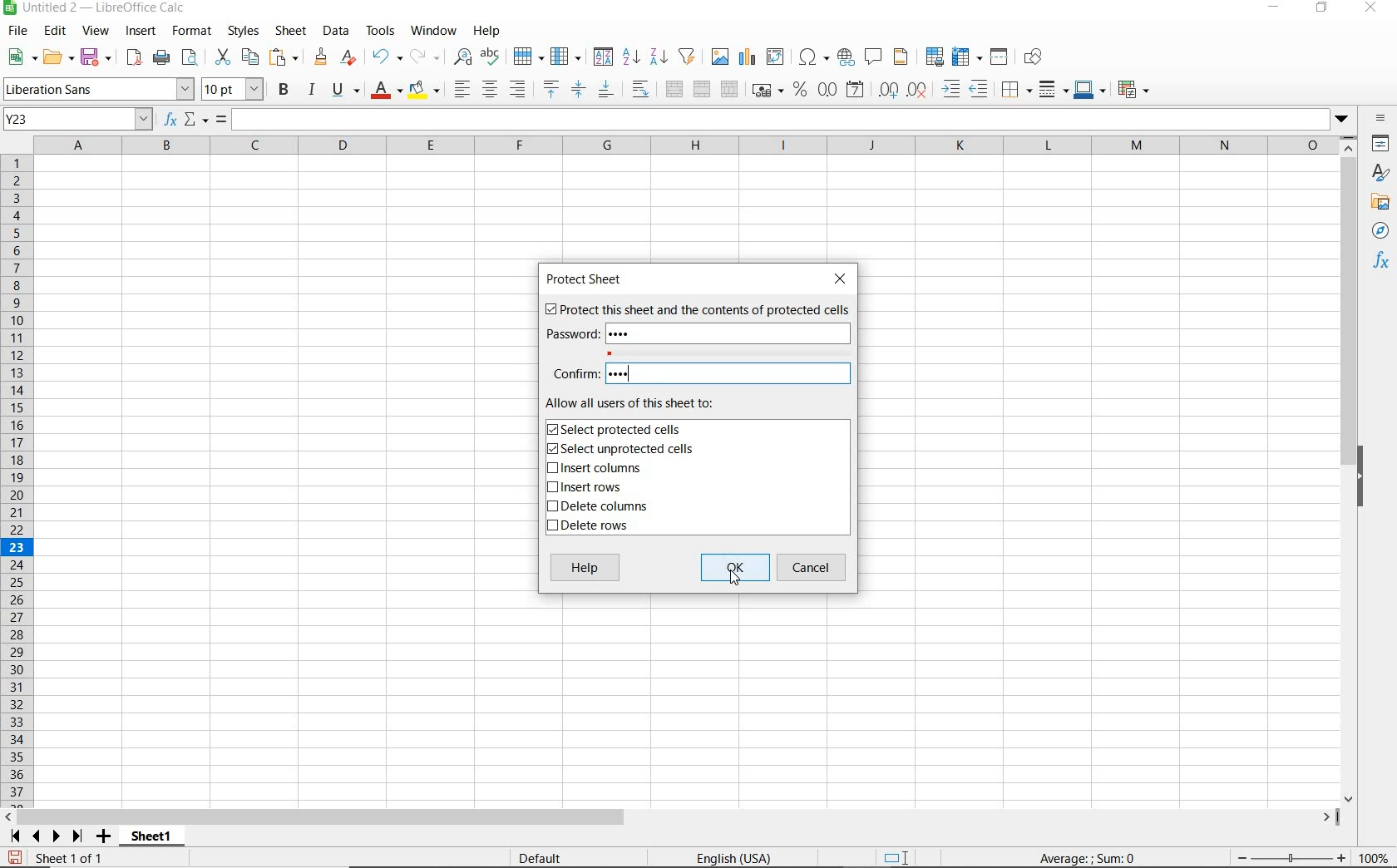  I want to click on ALIGN BOTTOM, so click(605, 91).